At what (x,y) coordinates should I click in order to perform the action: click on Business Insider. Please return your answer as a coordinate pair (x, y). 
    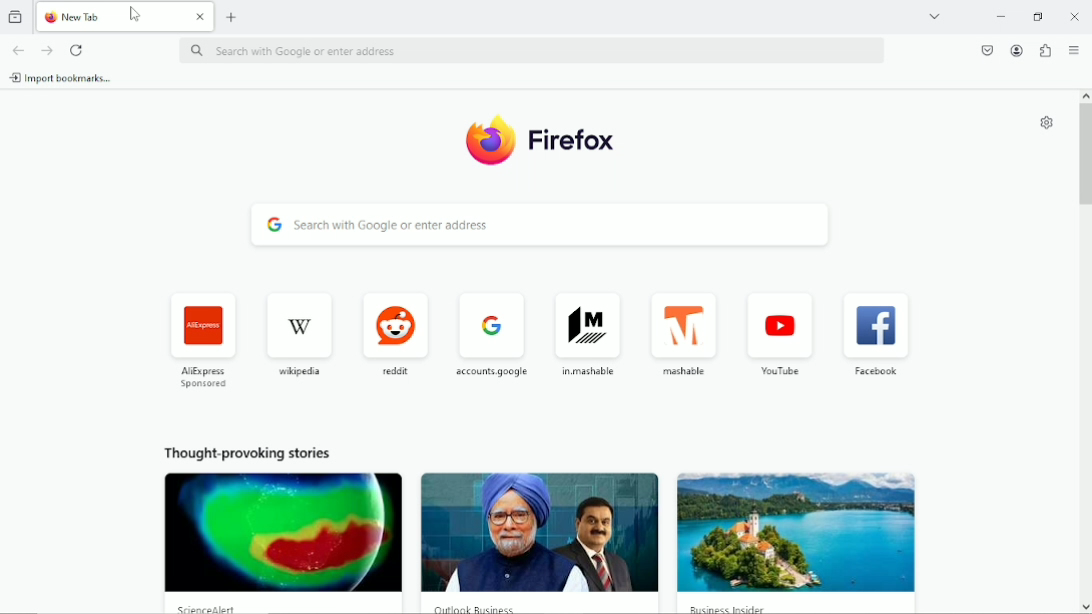
    Looking at the image, I should click on (733, 608).